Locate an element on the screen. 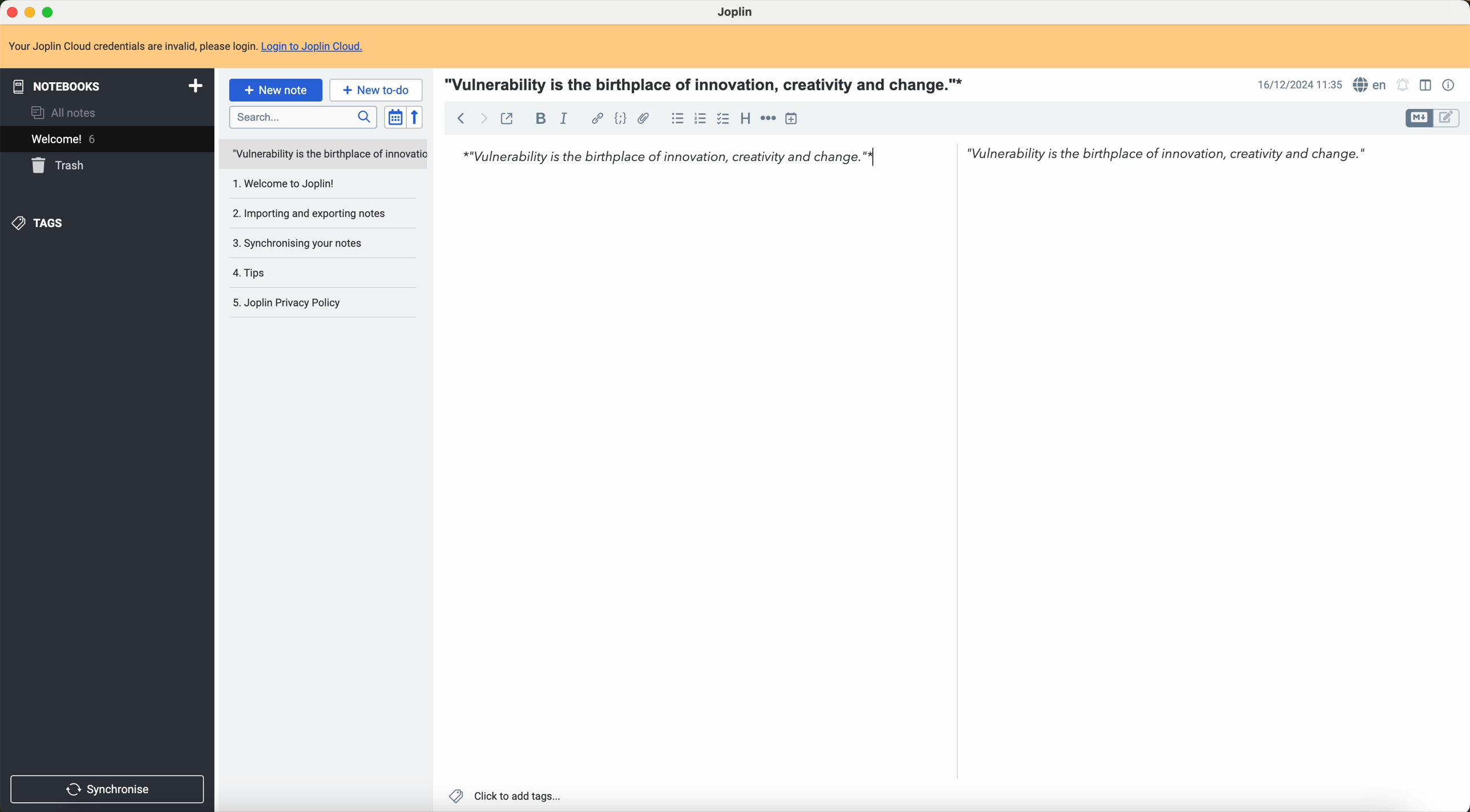 The height and width of the screenshot is (812, 1470). note properties is located at coordinates (1449, 85).